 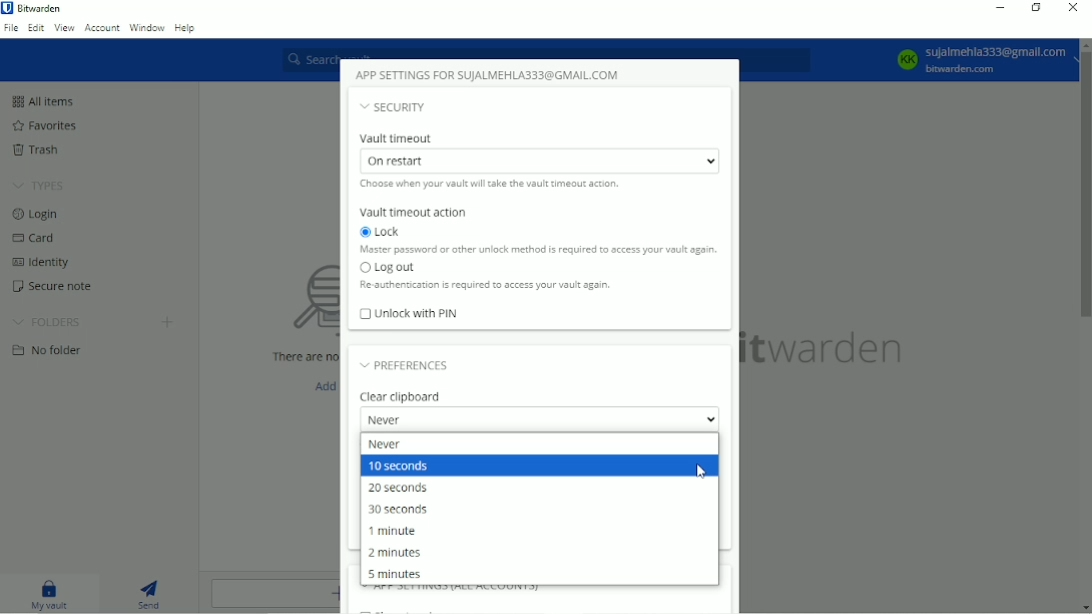 I want to click on Edit, so click(x=37, y=27).